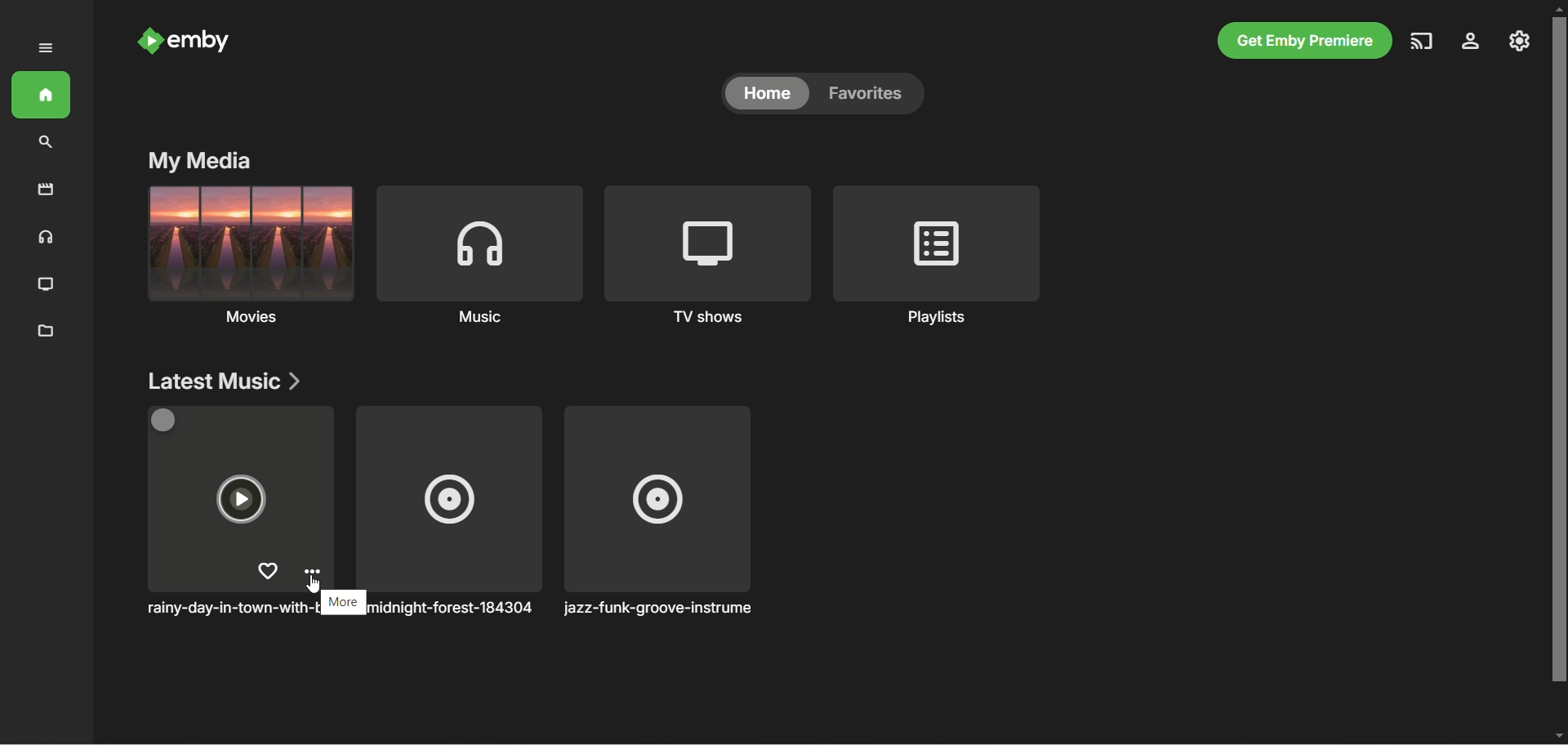 This screenshot has width=1568, height=745. What do you see at coordinates (448, 511) in the screenshot?
I see `Music album` at bounding box center [448, 511].